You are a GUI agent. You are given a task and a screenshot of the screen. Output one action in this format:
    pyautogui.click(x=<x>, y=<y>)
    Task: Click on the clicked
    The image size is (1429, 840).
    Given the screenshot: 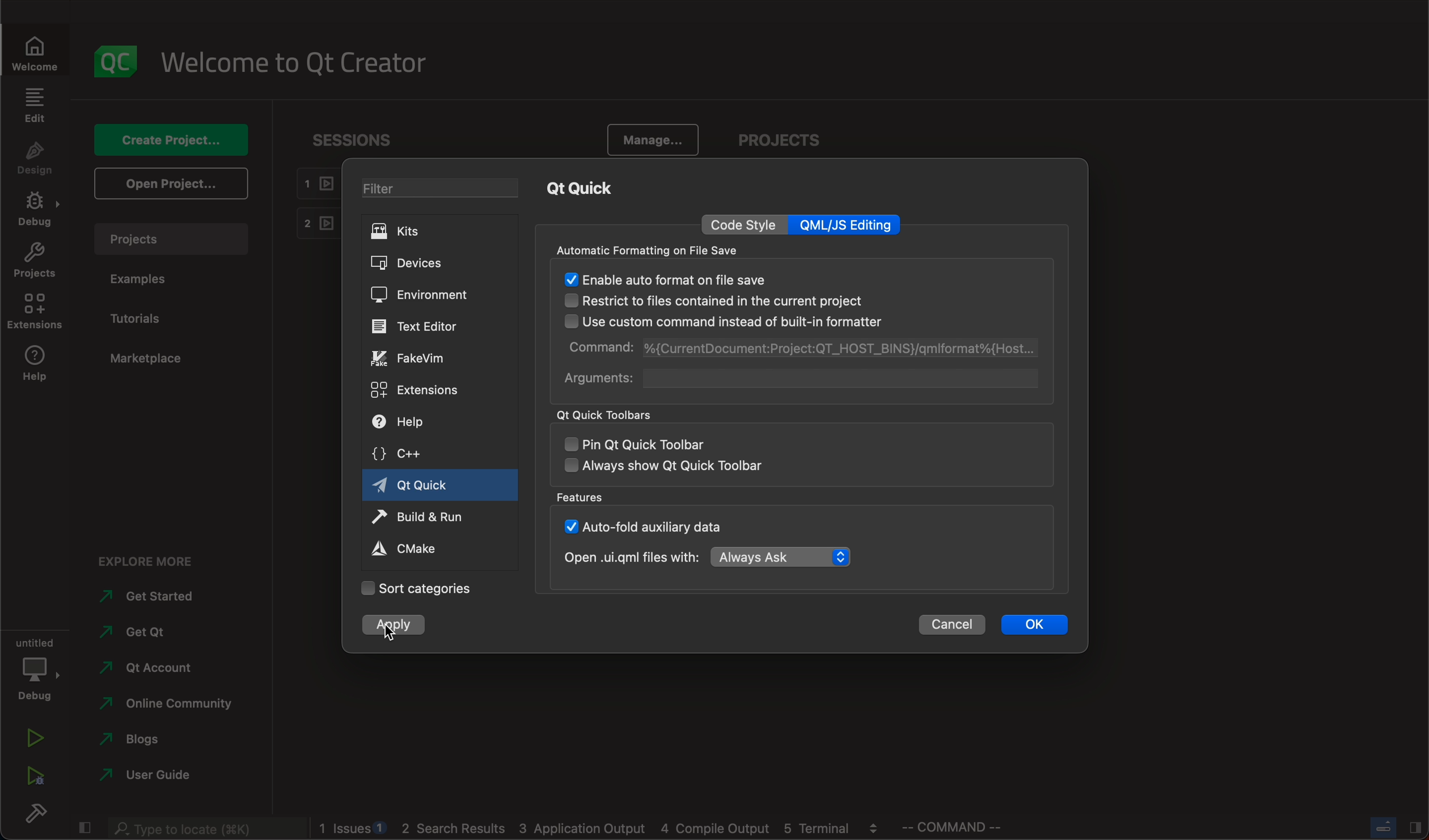 What is the action you would take?
    pyautogui.click(x=397, y=626)
    